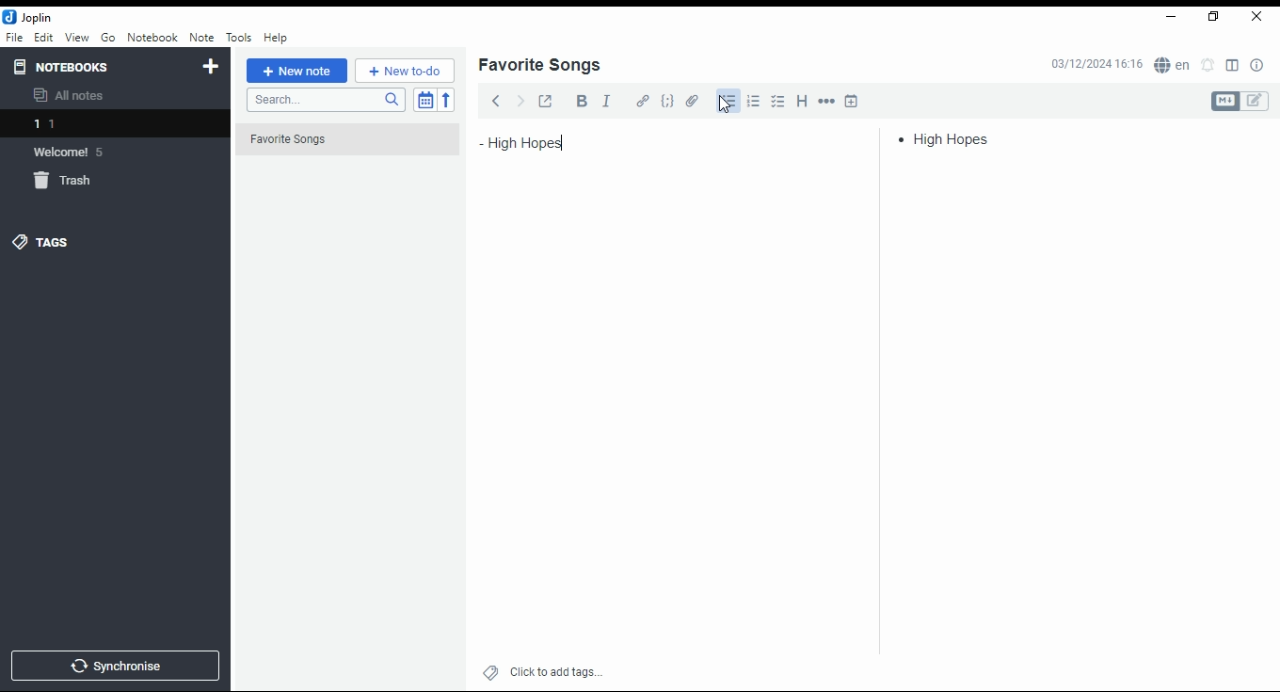  I want to click on mouse pointer, so click(725, 104).